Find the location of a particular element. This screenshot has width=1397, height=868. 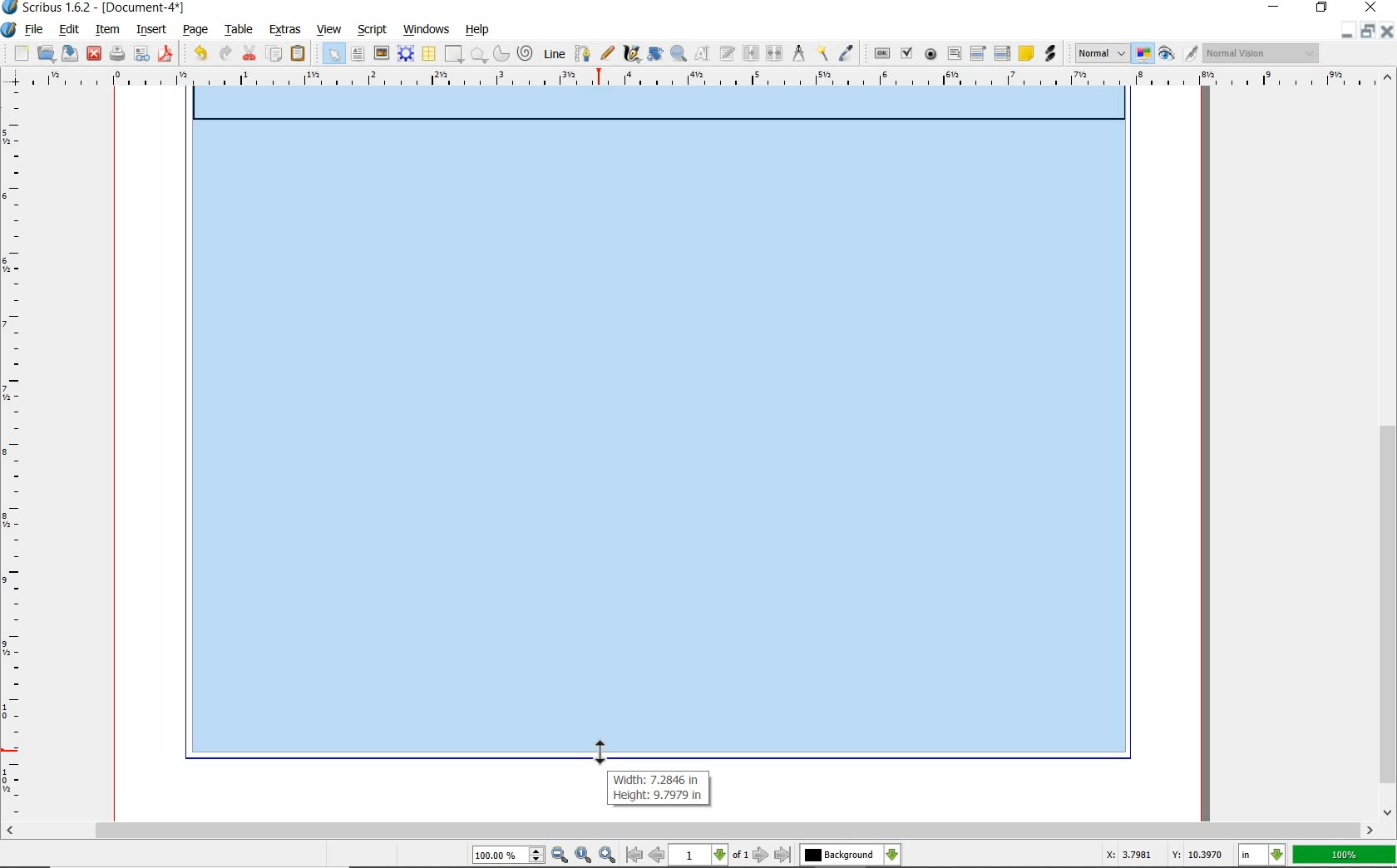

restore is located at coordinates (1321, 9).